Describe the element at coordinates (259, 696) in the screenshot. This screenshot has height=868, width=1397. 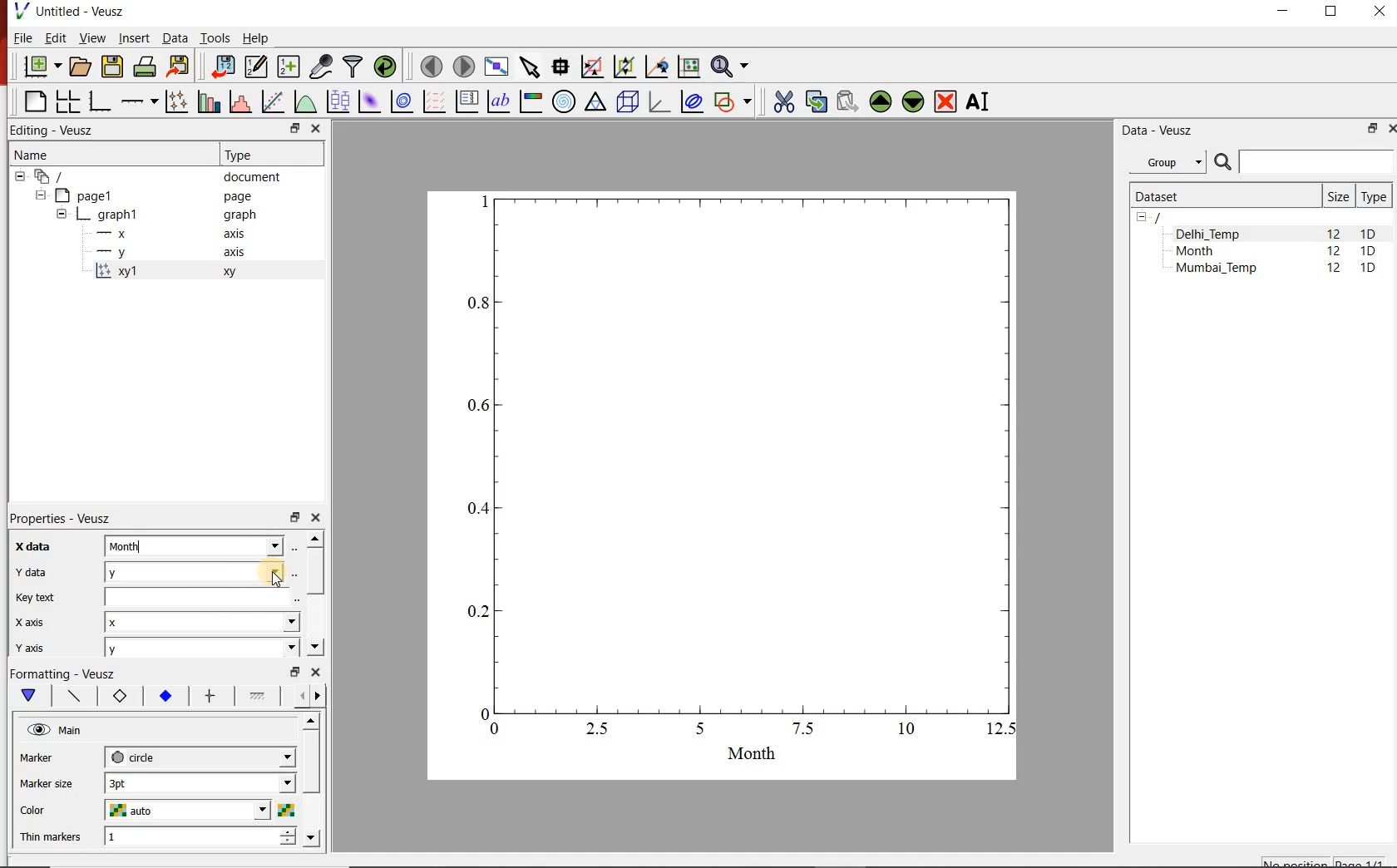
I see `Minor ticks` at that location.